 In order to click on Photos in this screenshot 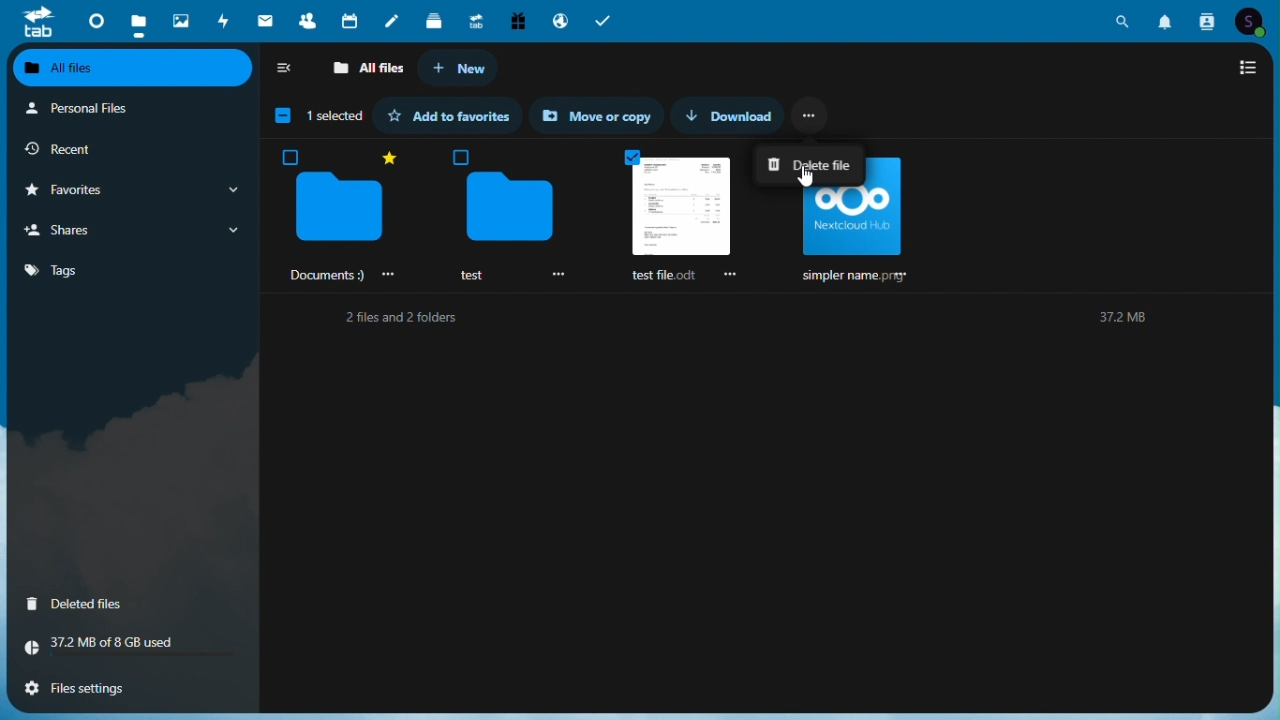, I will do `click(183, 20)`.